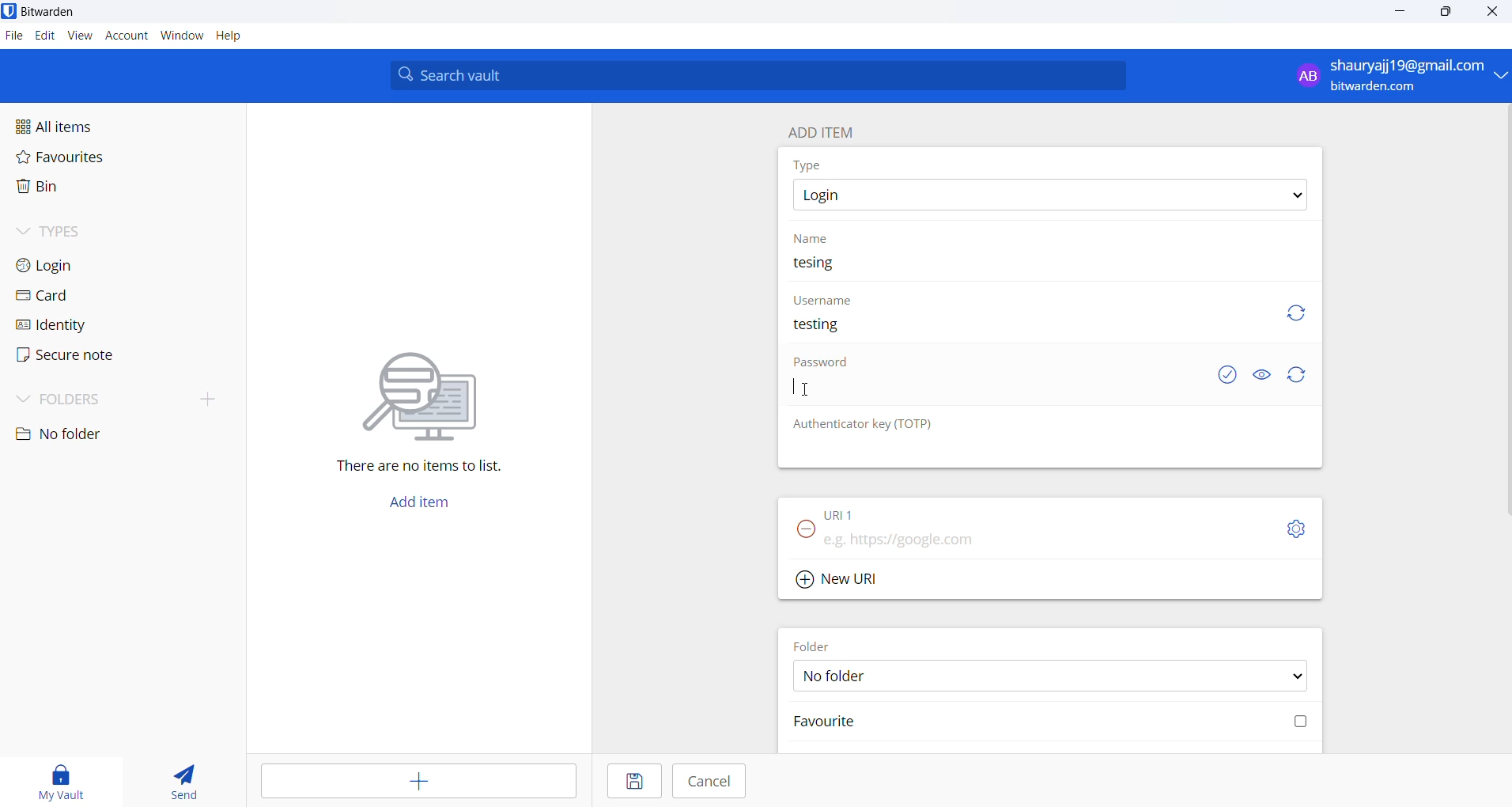 The height and width of the screenshot is (807, 1512). I want to click on add item button, so click(428, 506).